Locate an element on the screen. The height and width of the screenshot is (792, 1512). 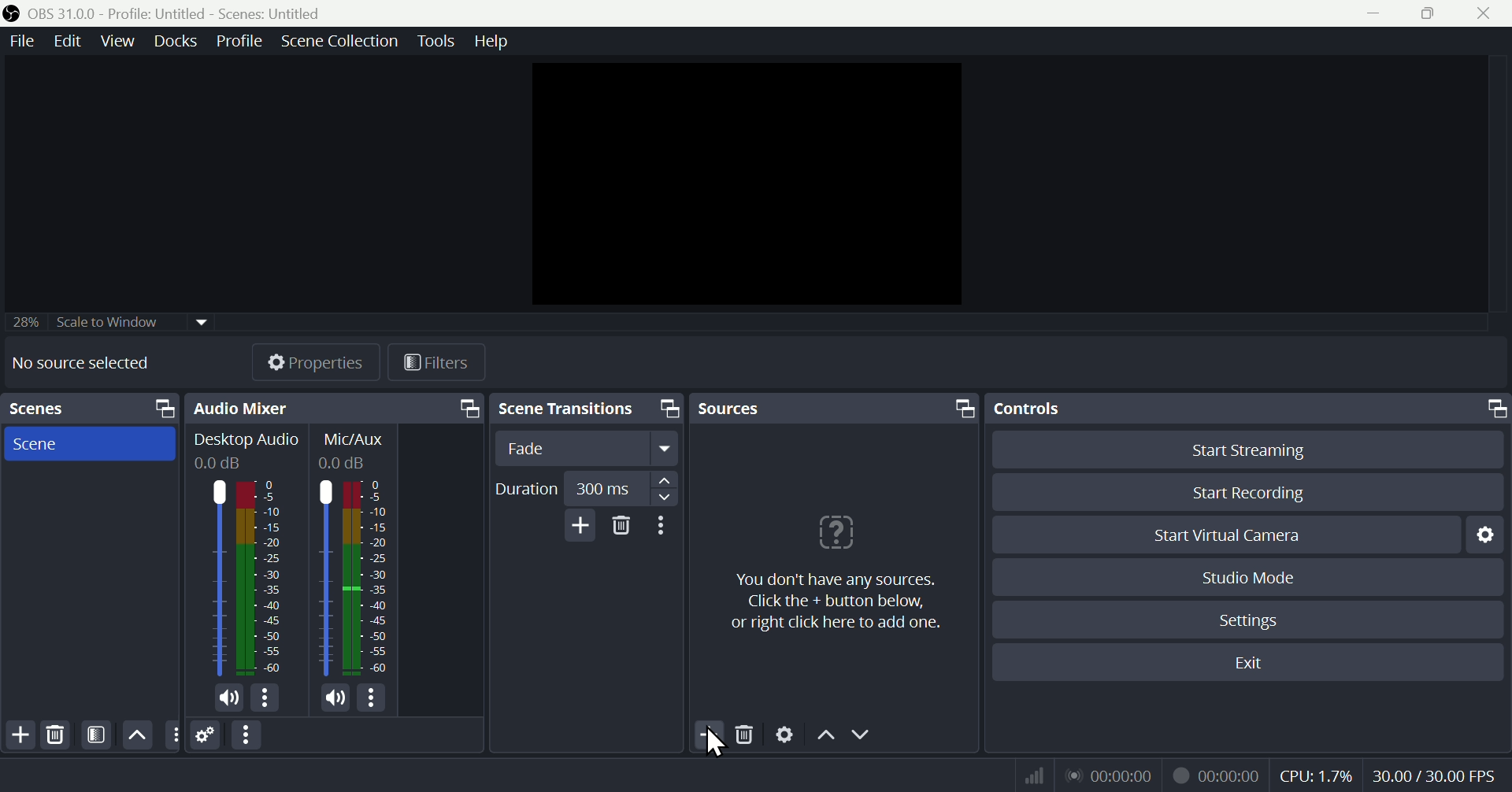
0.0dB is located at coordinates (345, 463).